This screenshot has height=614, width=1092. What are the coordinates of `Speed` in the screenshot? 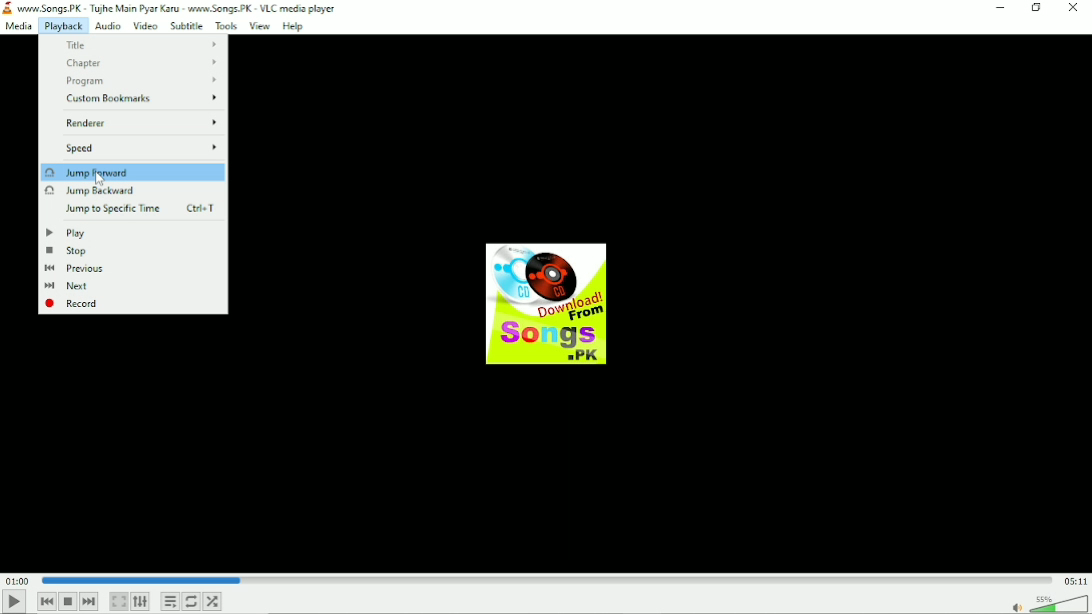 It's located at (142, 149).